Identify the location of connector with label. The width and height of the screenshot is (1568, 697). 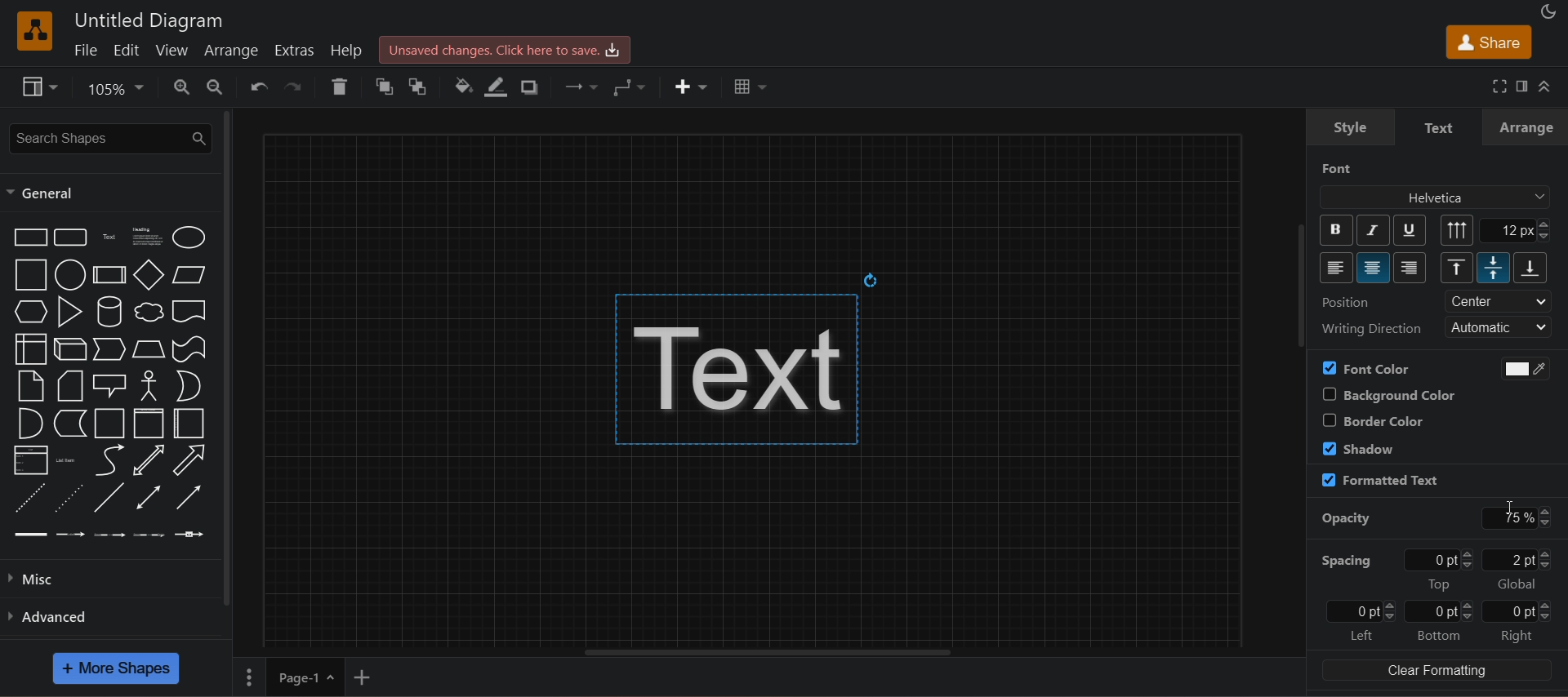
(70, 535).